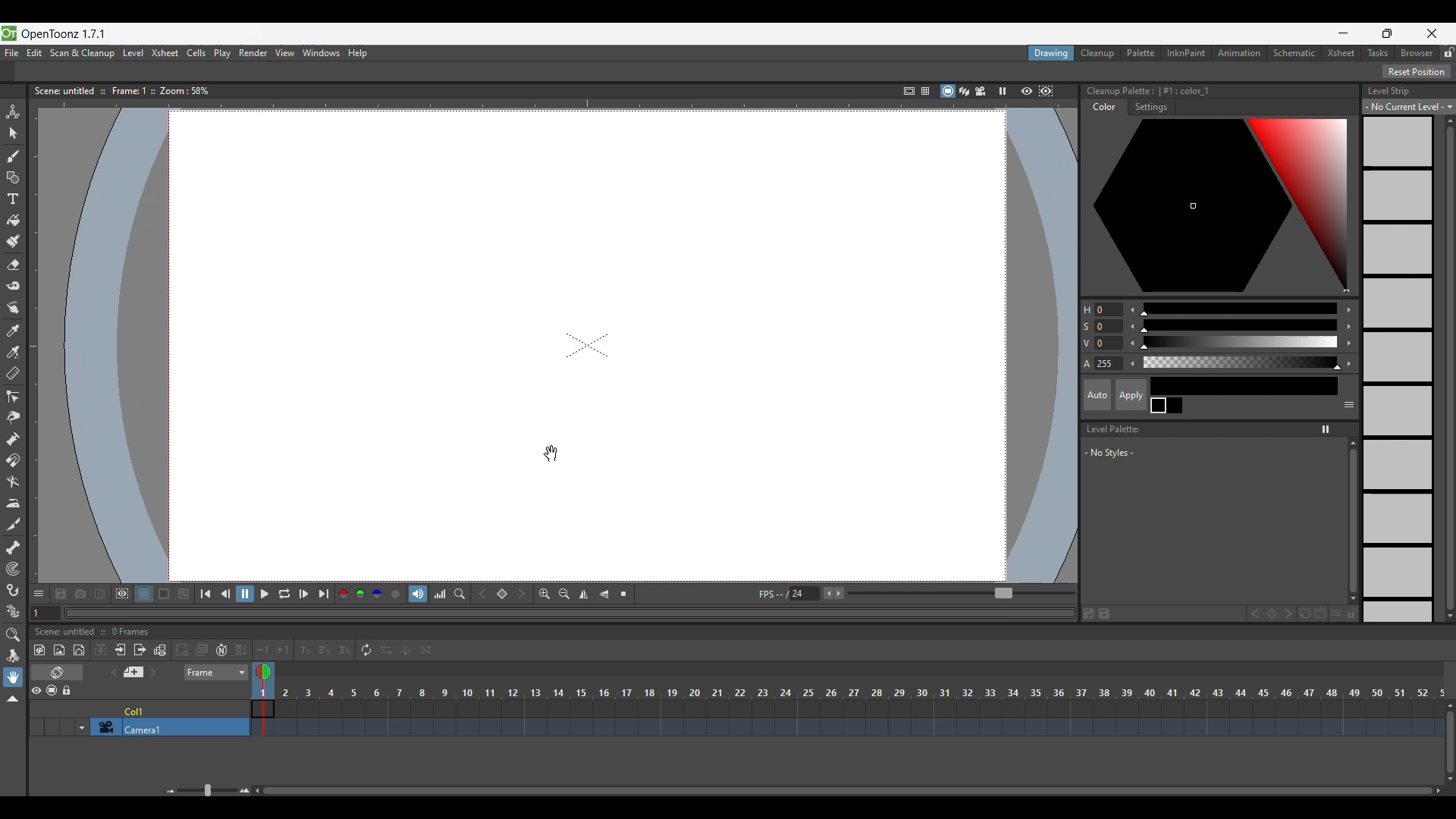  Describe the element at coordinates (1097, 53) in the screenshot. I see `Cleanup` at that location.